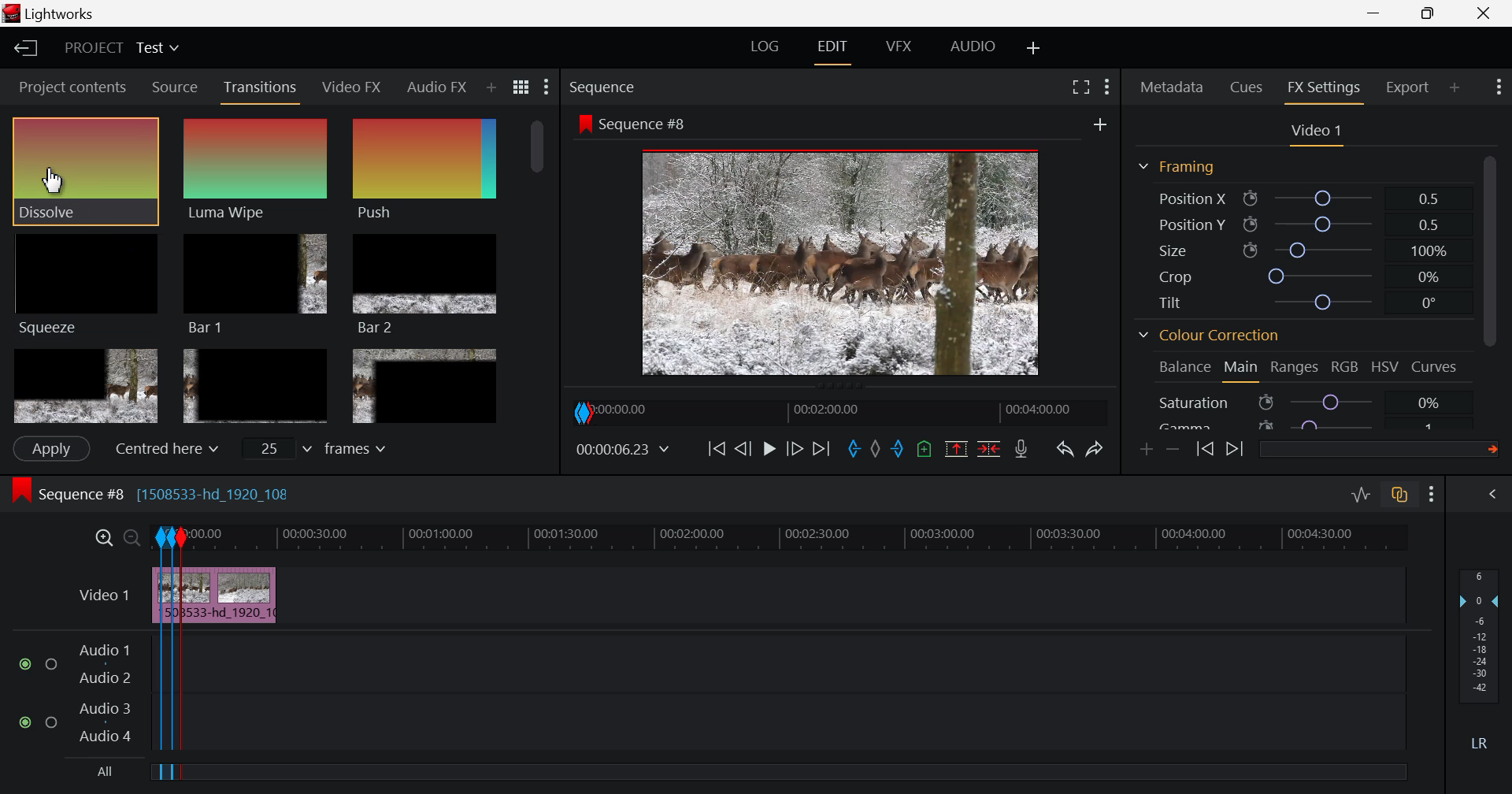 The height and width of the screenshot is (794, 1512). Describe the element at coordinates (539, 270) in the screenshot. I see `Scroll Bar` at that location.